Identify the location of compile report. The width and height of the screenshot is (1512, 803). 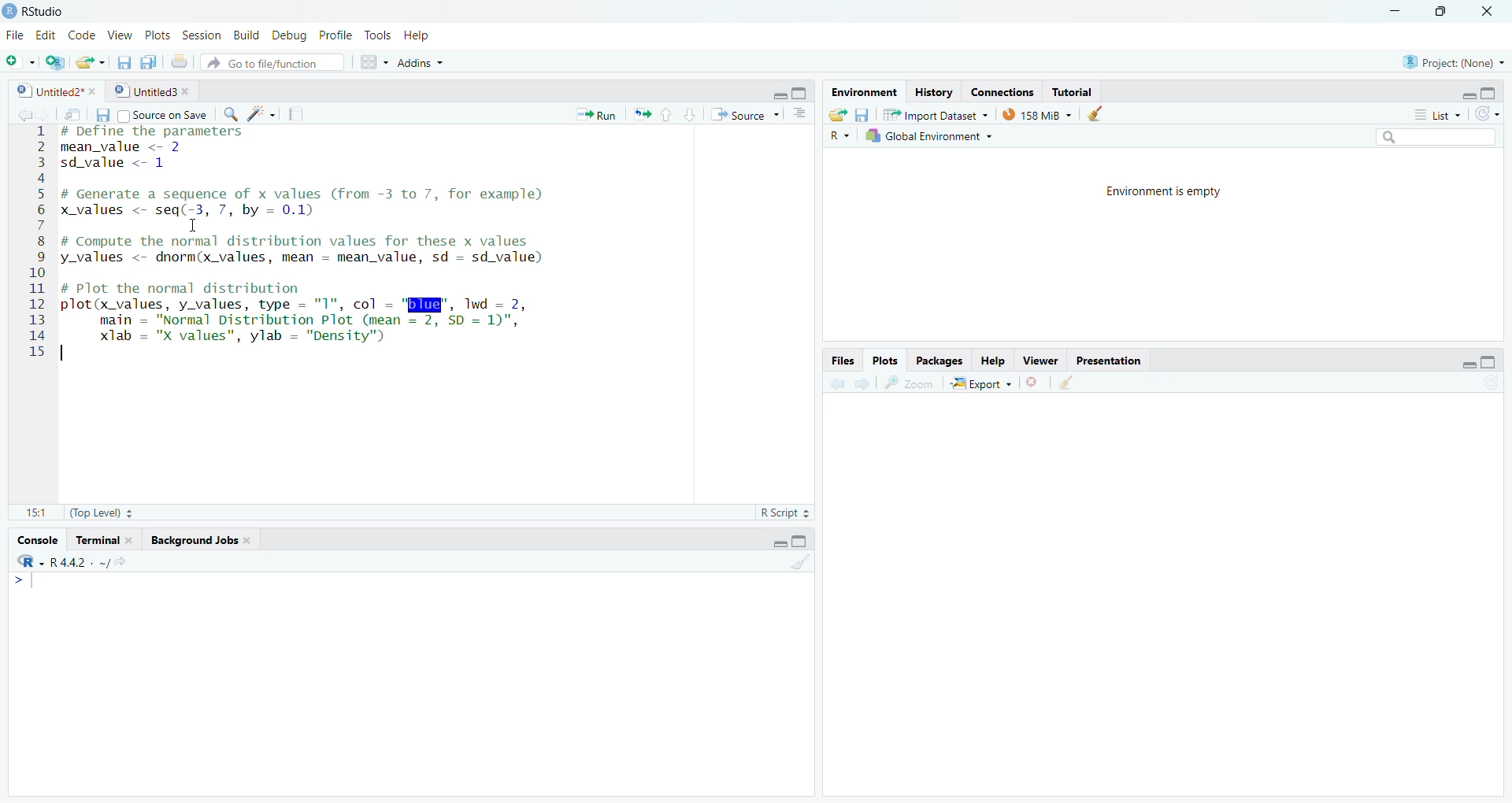
(289, 112).